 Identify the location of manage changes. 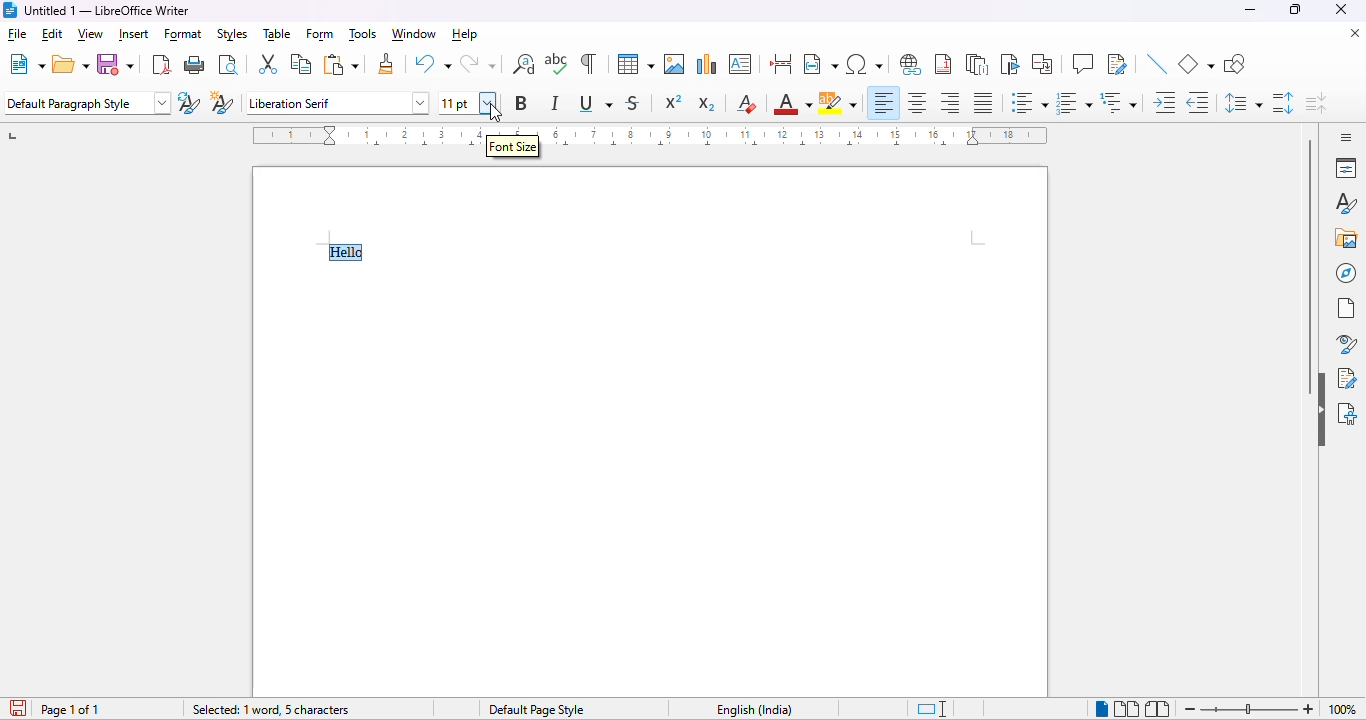
(1349, 378).